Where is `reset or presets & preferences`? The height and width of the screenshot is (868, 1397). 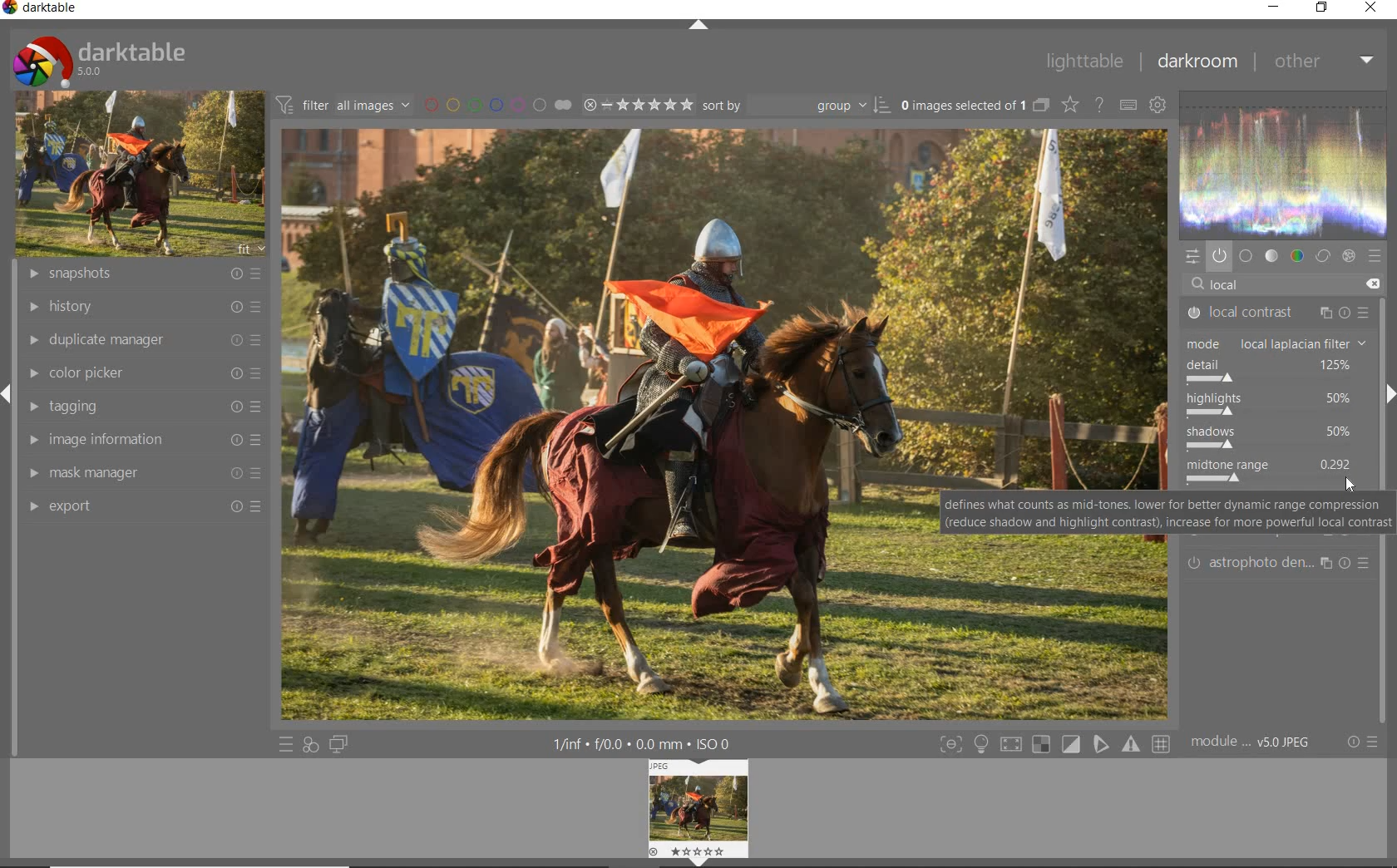
reset or presets & preferences is located at coordinates (1361, 742).